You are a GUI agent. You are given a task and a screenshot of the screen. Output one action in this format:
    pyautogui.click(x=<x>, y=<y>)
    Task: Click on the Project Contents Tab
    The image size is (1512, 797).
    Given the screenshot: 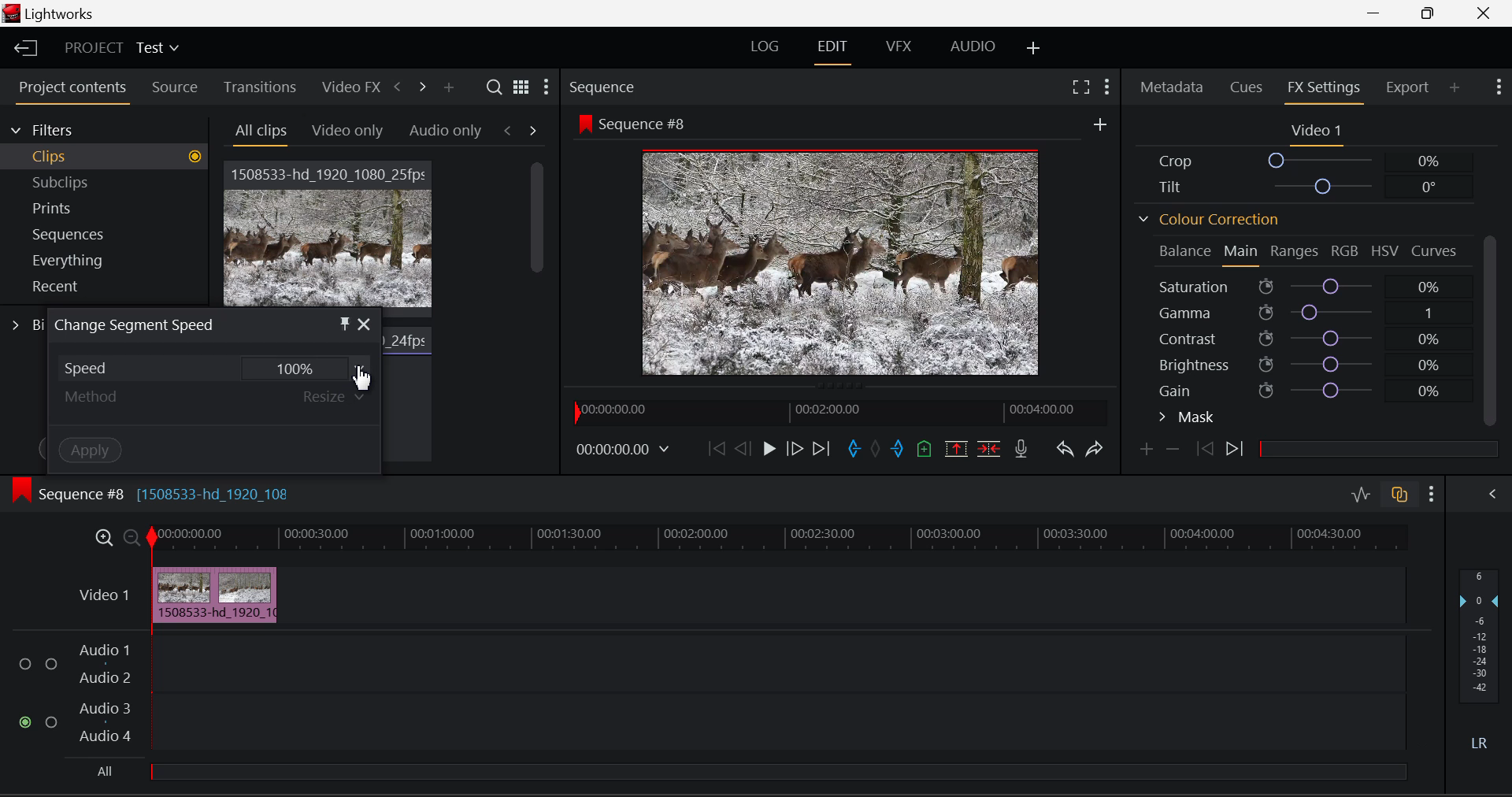 What is the action you would take?
    pyautogui.click(x=74, y=89)
    